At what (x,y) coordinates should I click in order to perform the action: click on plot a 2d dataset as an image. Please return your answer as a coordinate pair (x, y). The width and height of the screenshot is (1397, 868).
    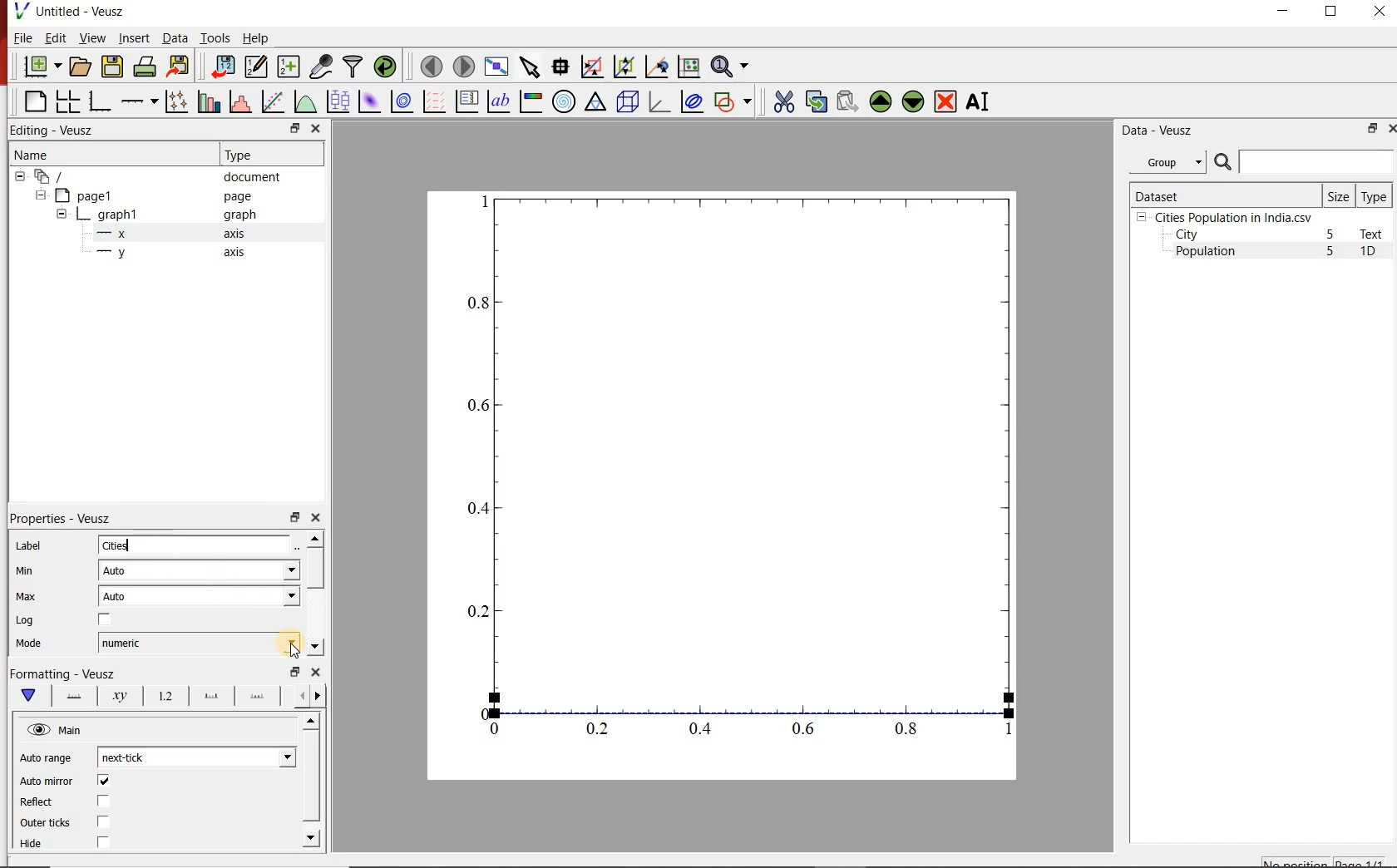
    Looking at the image, I should click on (368, 100).